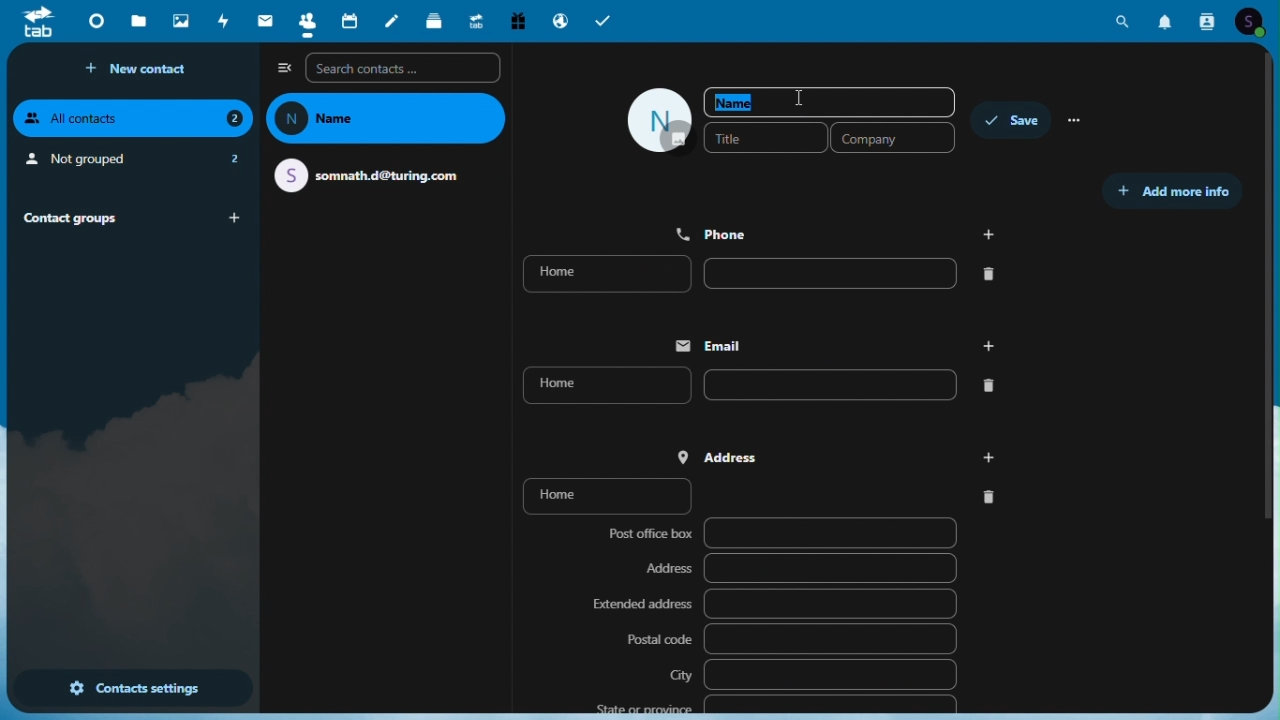  What do you see at coordinates (800, 568) in the screenshot?
I see `Address` at bounding box center [800, 568].